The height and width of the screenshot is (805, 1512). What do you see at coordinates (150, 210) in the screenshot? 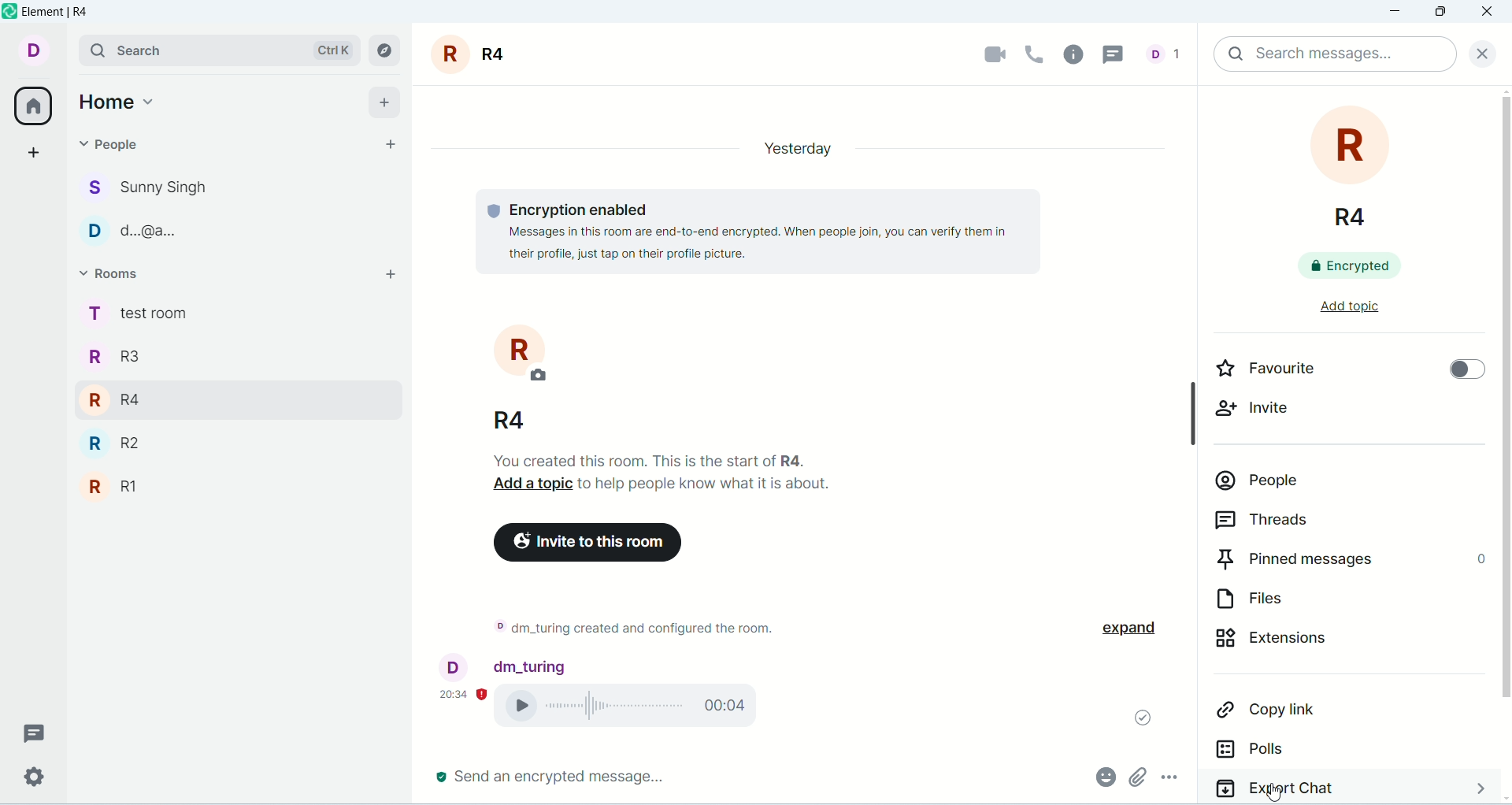
I see `people` at bounding box center [150, 210].